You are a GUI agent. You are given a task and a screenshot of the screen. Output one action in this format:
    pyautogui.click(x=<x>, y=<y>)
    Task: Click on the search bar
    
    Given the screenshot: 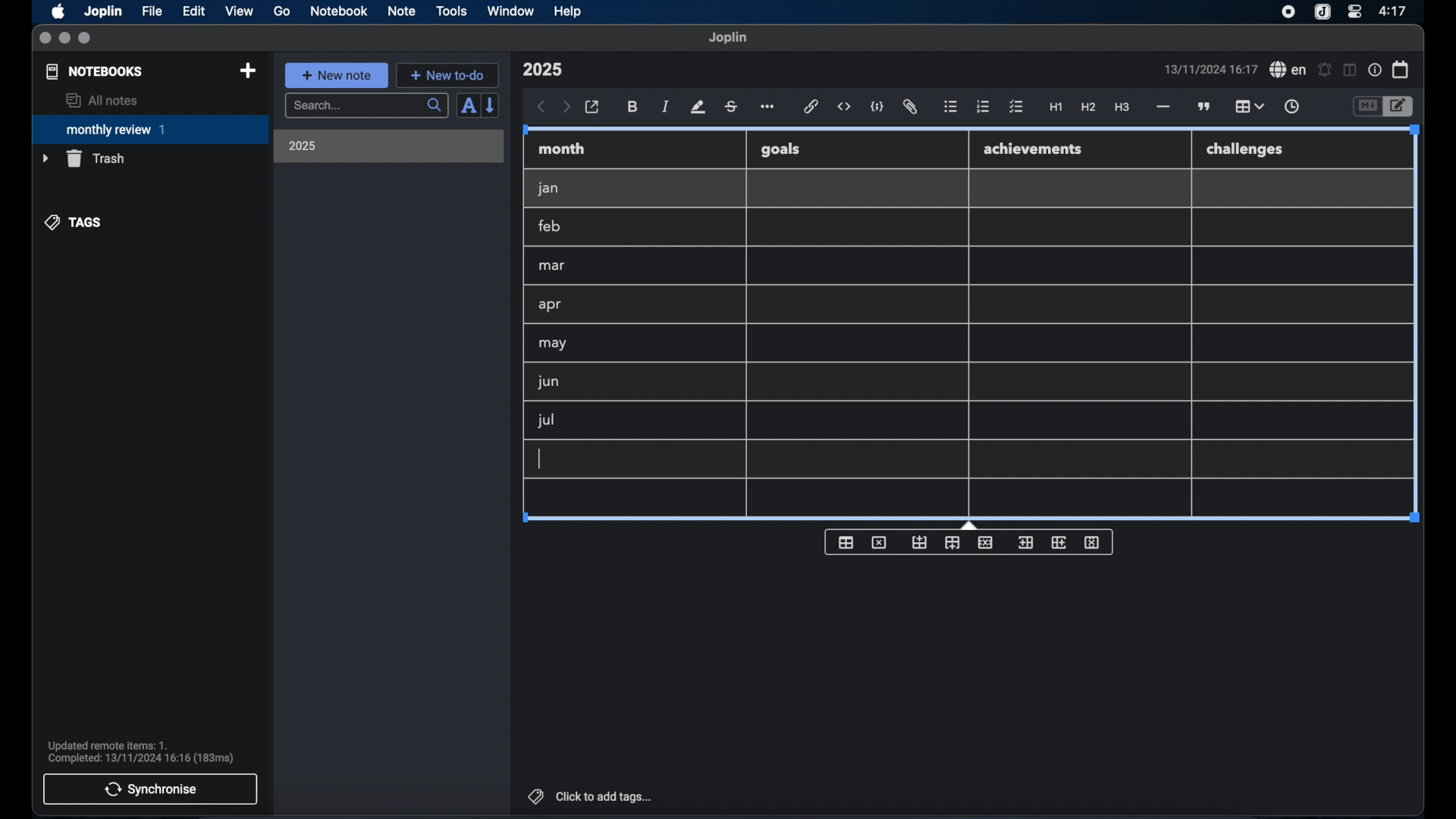 What is the action you would take?
    pyautogui.click(x=366, y=107)
    